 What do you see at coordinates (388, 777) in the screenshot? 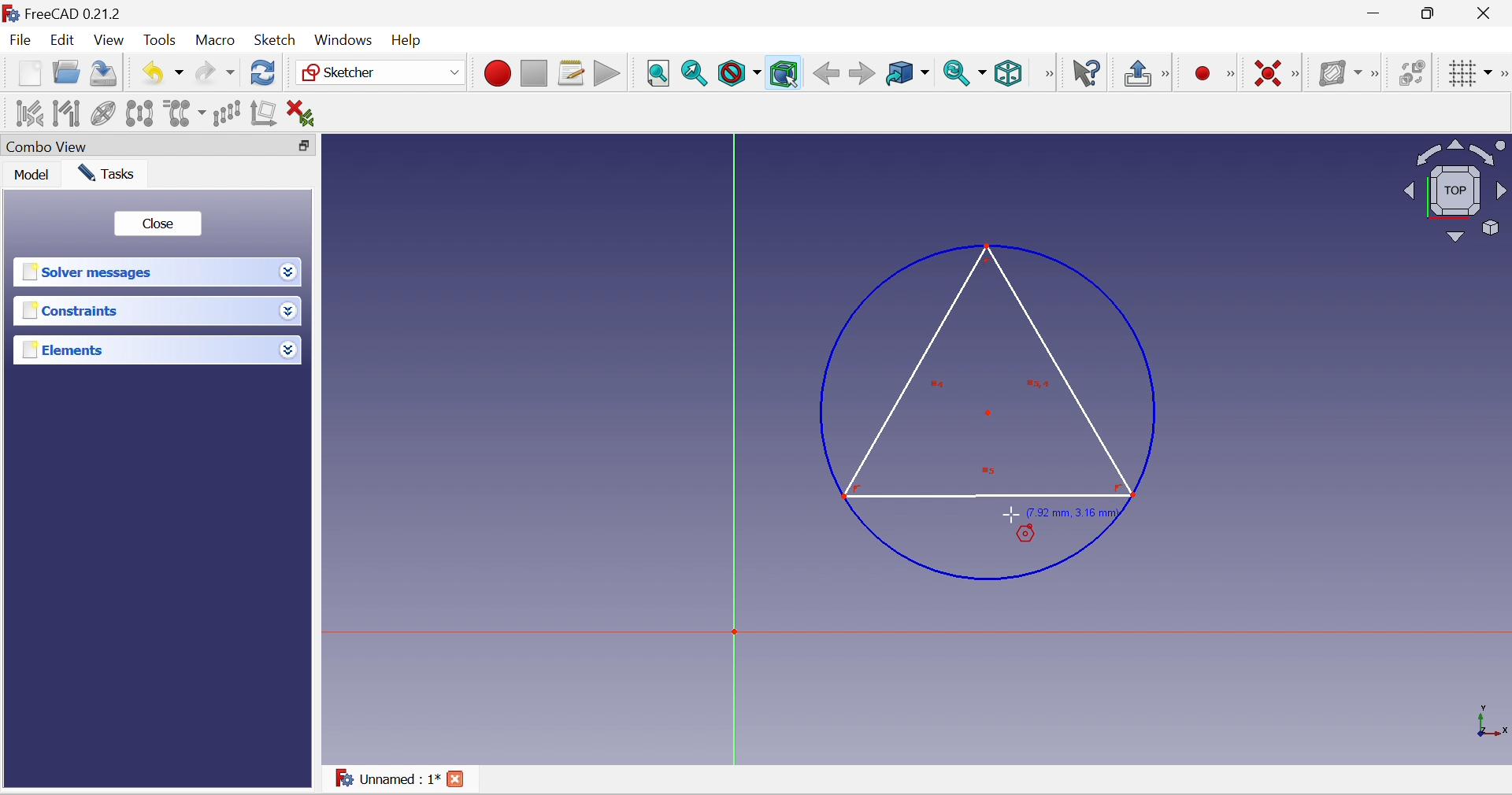
I see `Unnamed : 1*` at bounding box center [388, 777].